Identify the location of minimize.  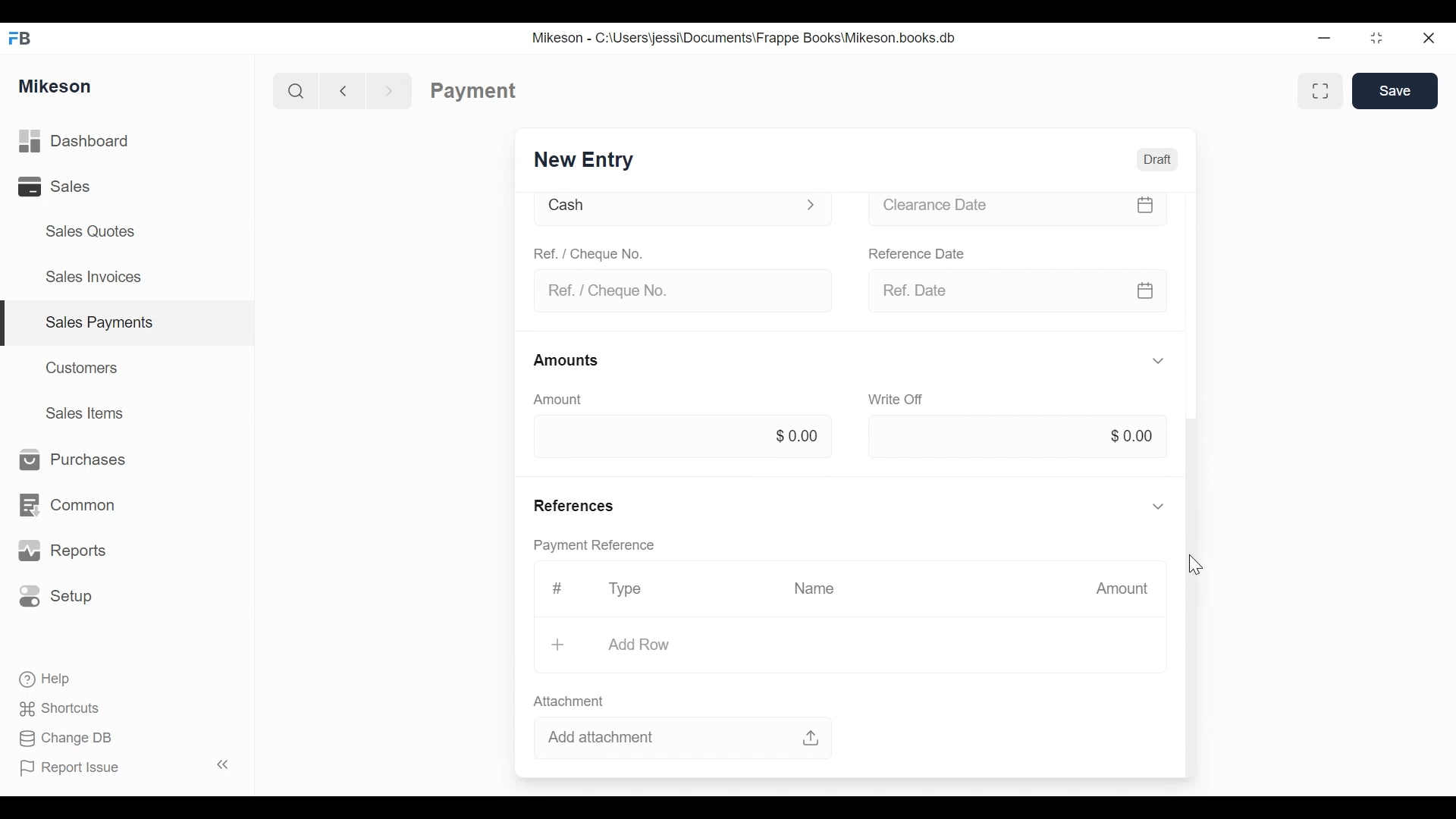
(1329, 37).